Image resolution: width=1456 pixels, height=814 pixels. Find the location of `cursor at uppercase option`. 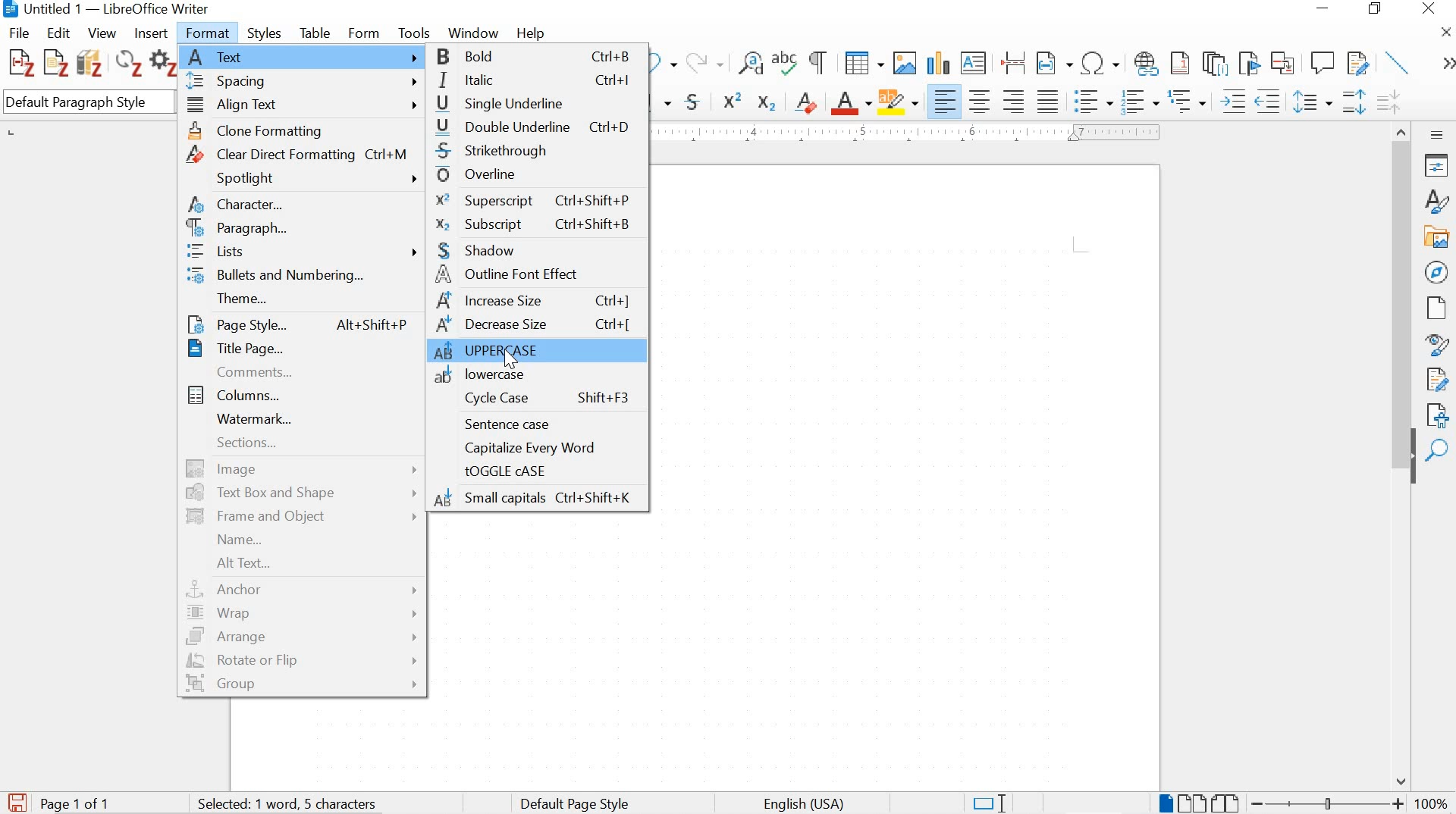

cursor at uppercase option is located at coordinates (507, 359).